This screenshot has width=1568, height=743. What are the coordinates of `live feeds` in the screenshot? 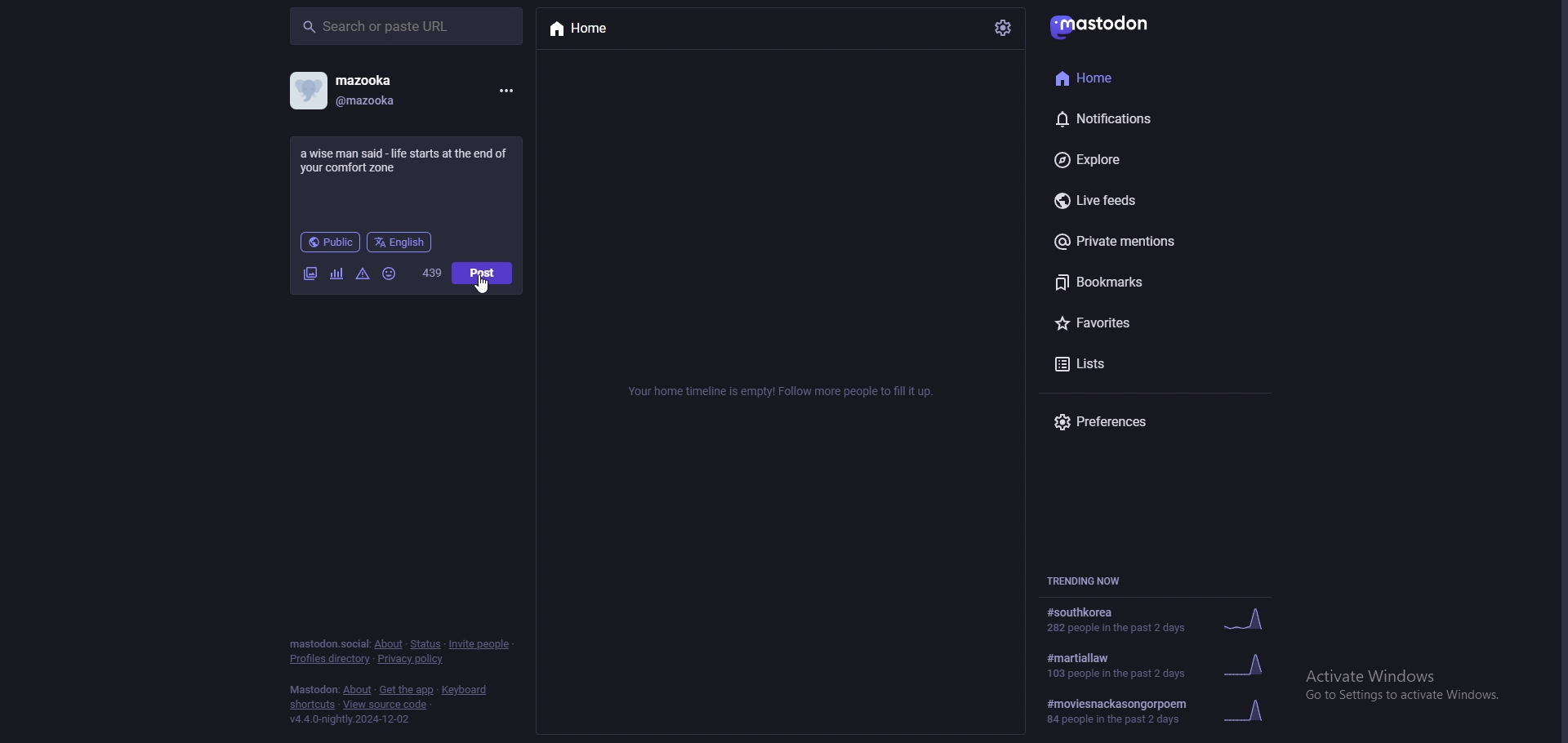 It's located at (1145, 200).